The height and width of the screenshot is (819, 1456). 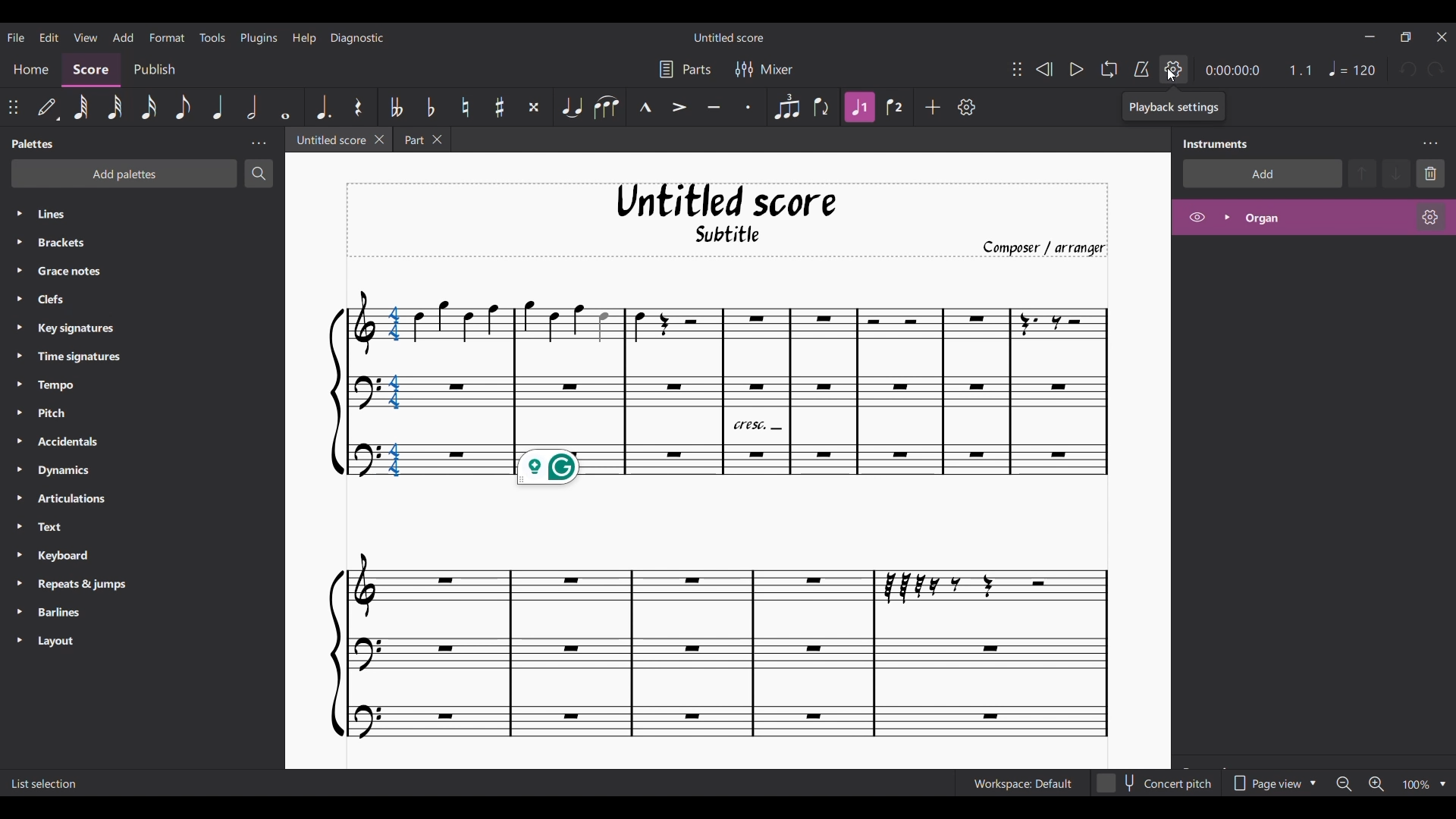 What do you see at coordinates (123, 36) in the screenshot?
I see `Add menu` at bounding box center [123, 36].